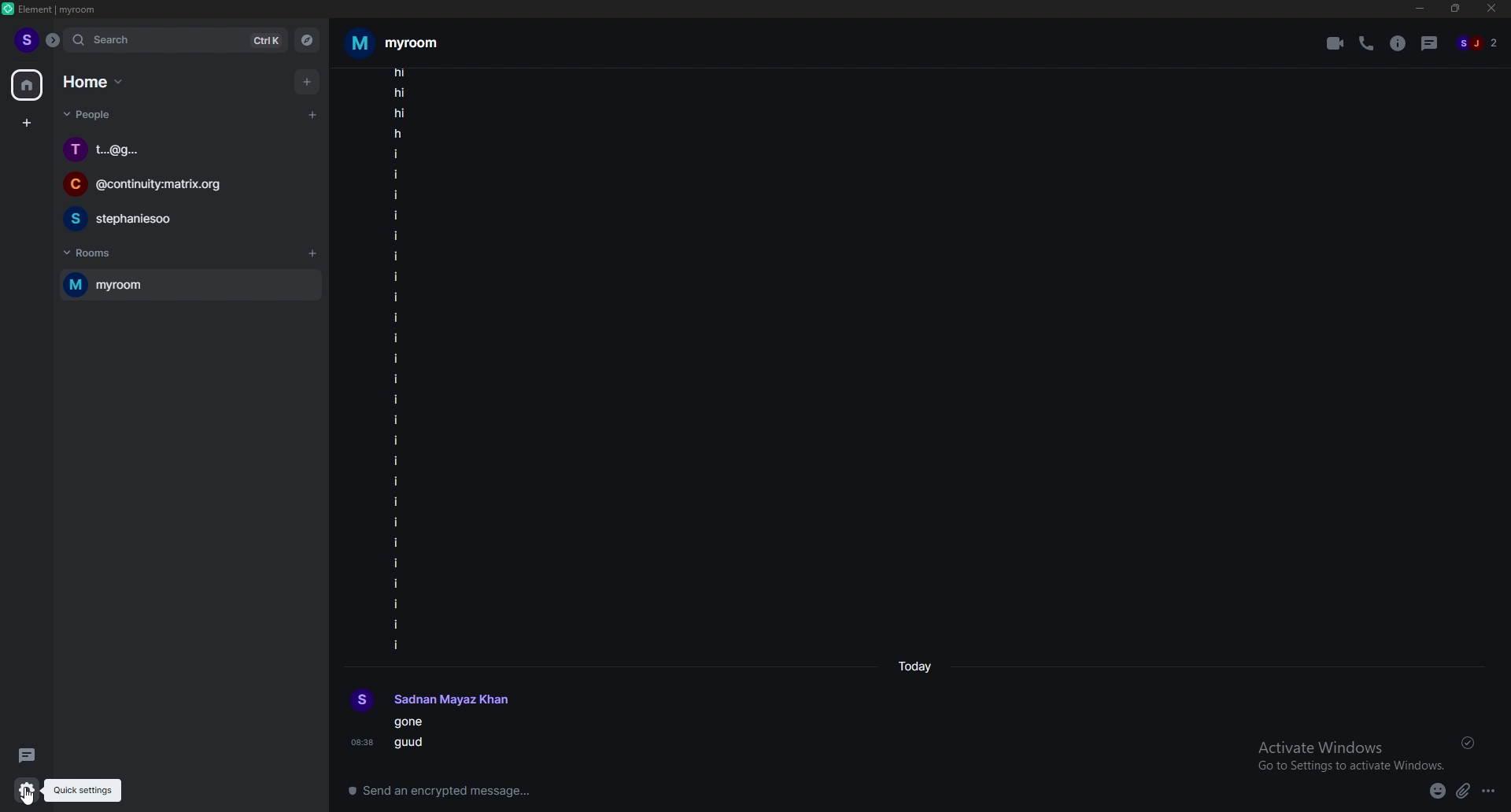 The height and width of the screenshot is (812, 1511). What do you see at coordinates (1334, 43) in the screenshot?
I see `video call` at bounding box center [1334, 43].